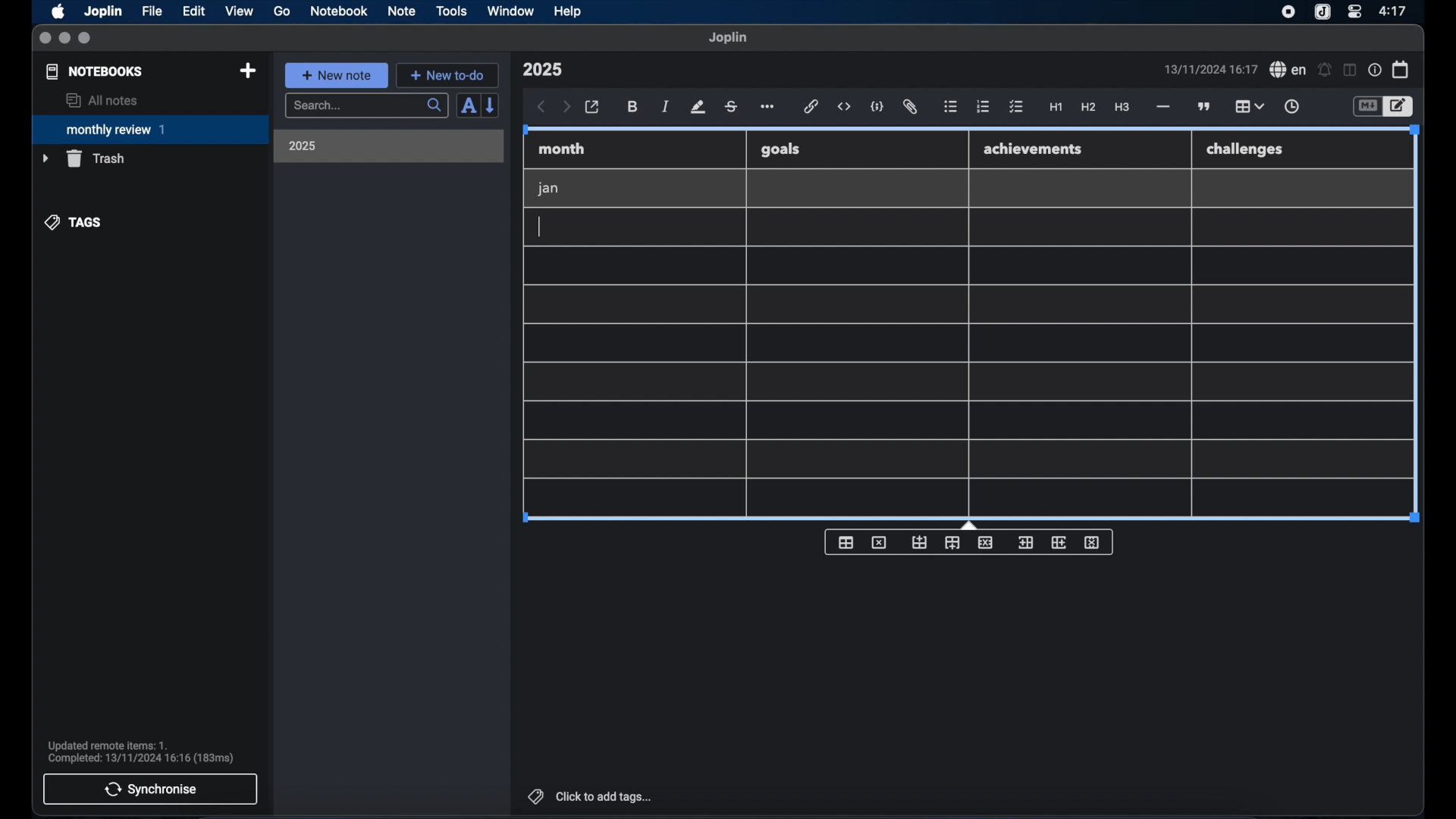 This screenshot has width=1456, height=819. What do you see at coordinates (1016, 108) in the screenshot?
I see `check  list` at bounding box center [1016, 108].